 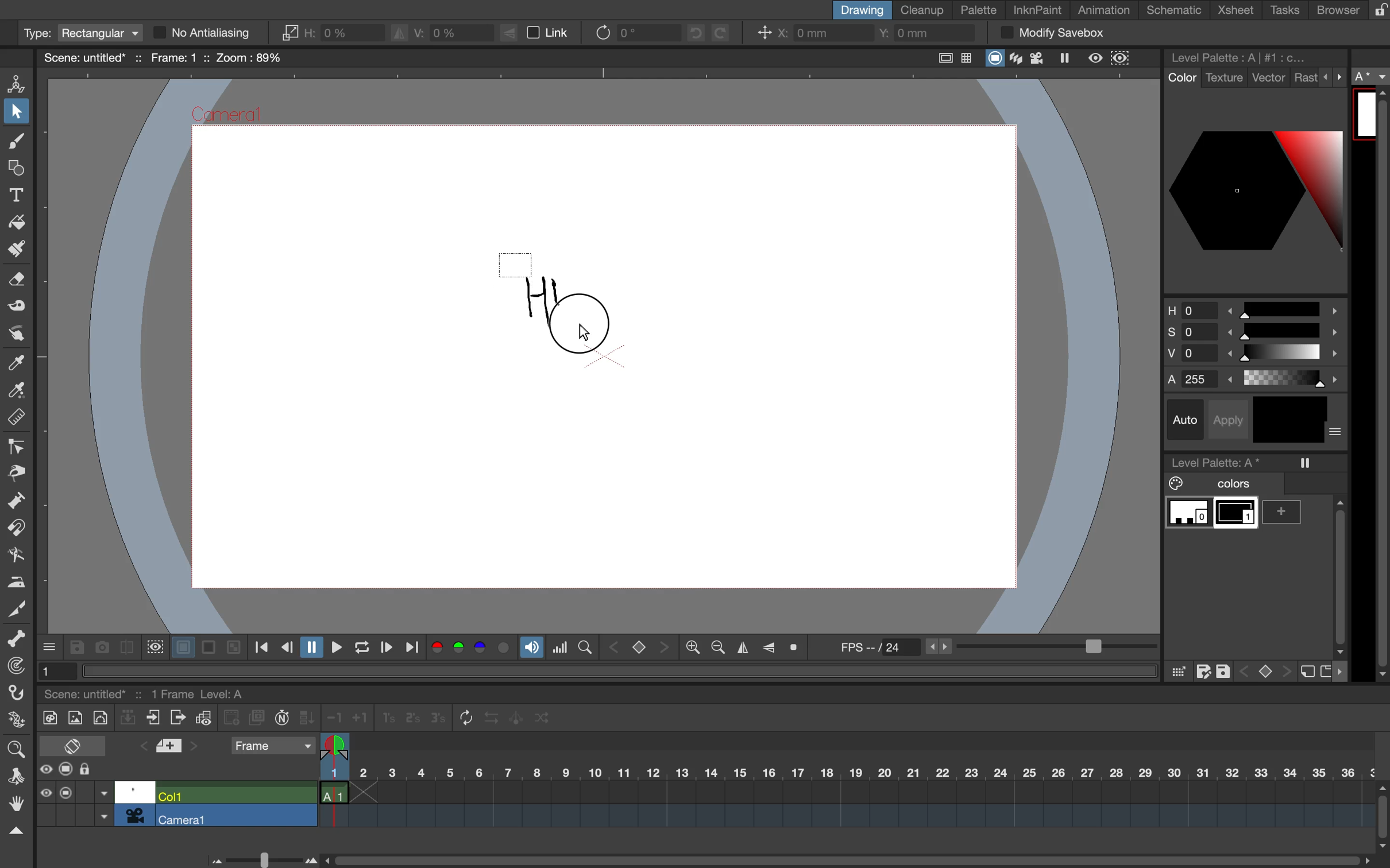 What do you see at coordinates (20, 83) in the screenshot?
I see `animate tool` at bounding box center [20, 83].